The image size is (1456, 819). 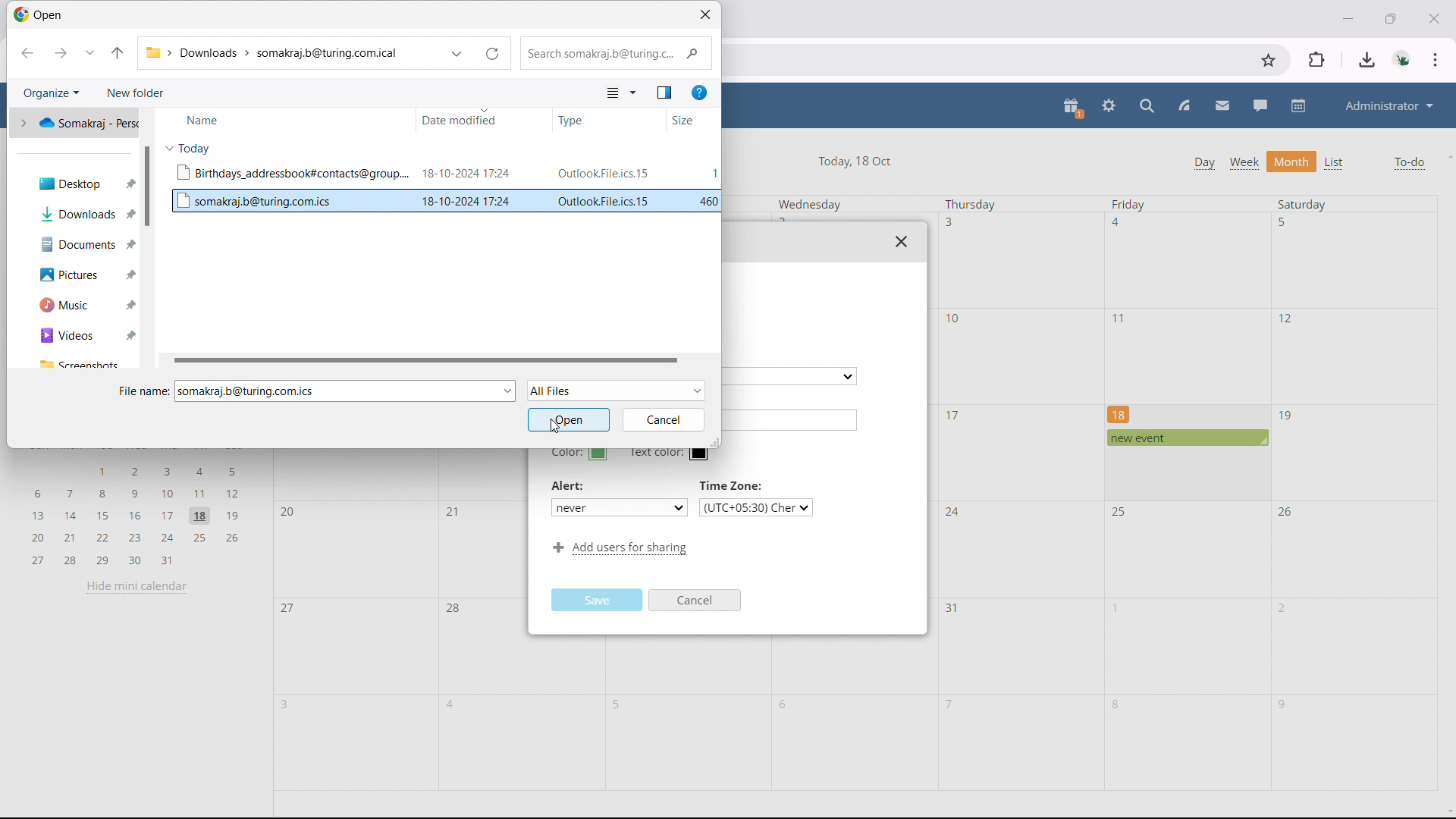 I want to click on vertical scrollbar, so click(x=147, y=187).